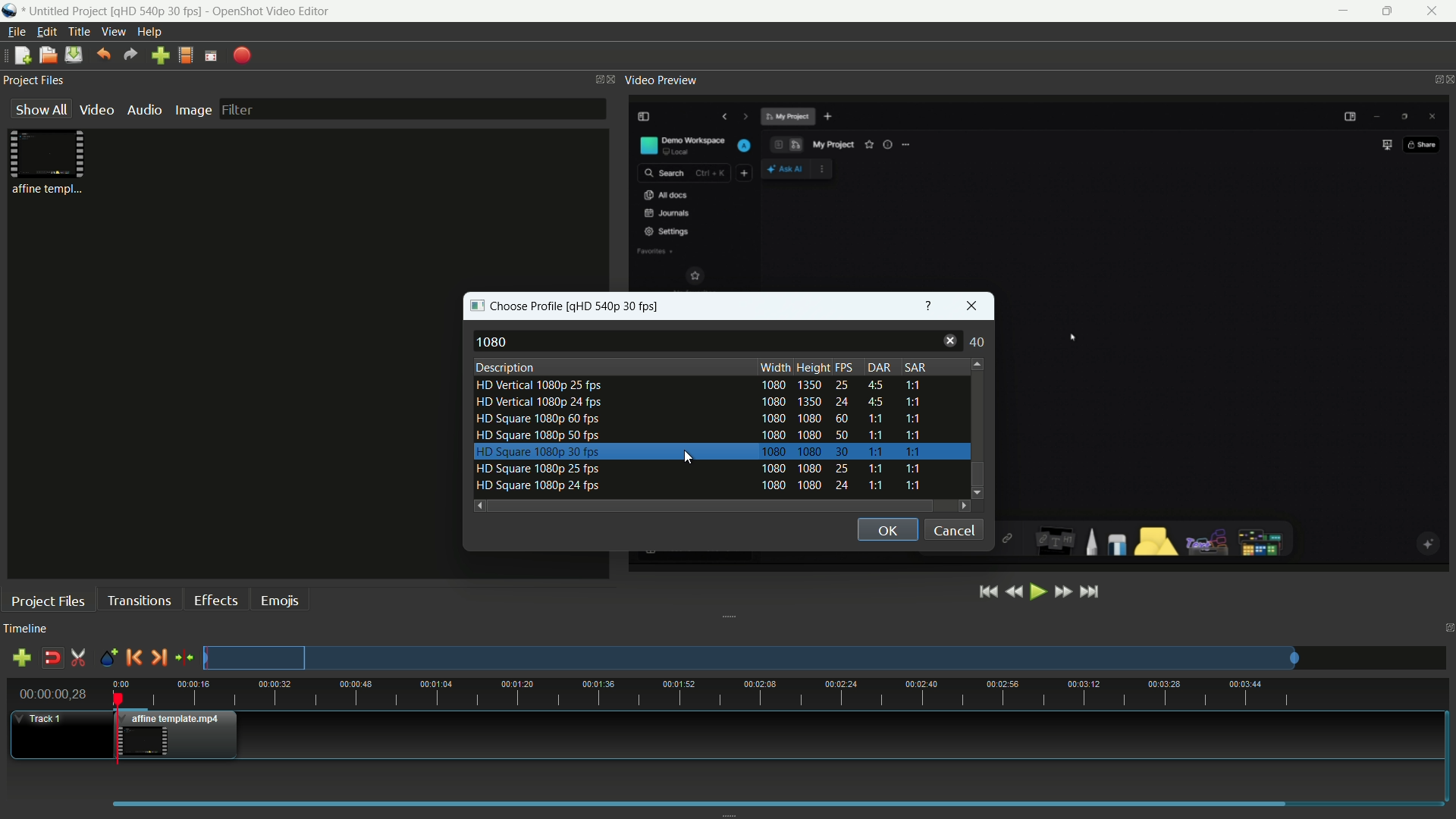  I want to click on cursor, so click(1070, 335).